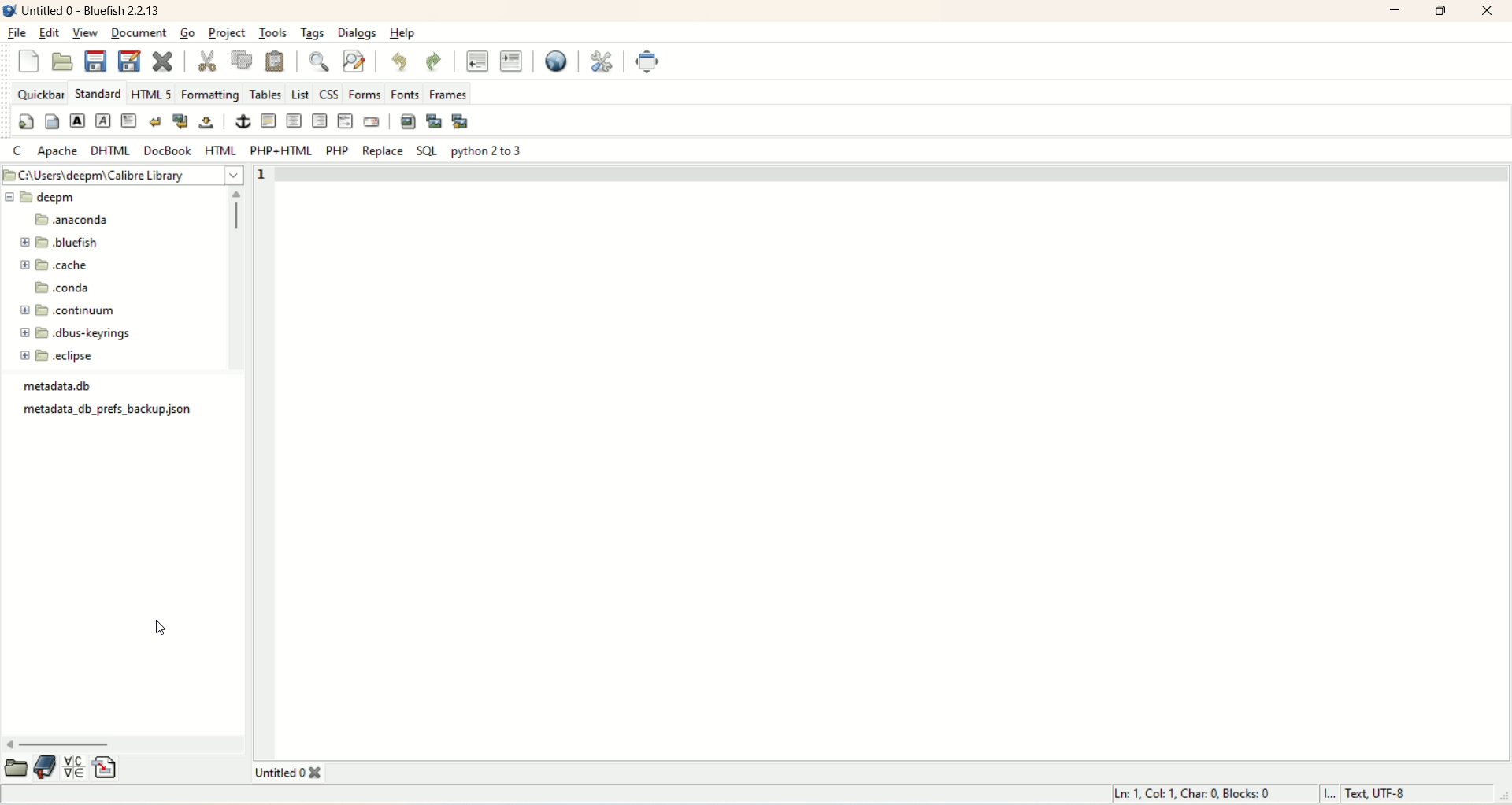  What do you see at coordinates (126, 745) in the screenshot?
I see `horizontal scroll bar` at bounding box center [126, 745].